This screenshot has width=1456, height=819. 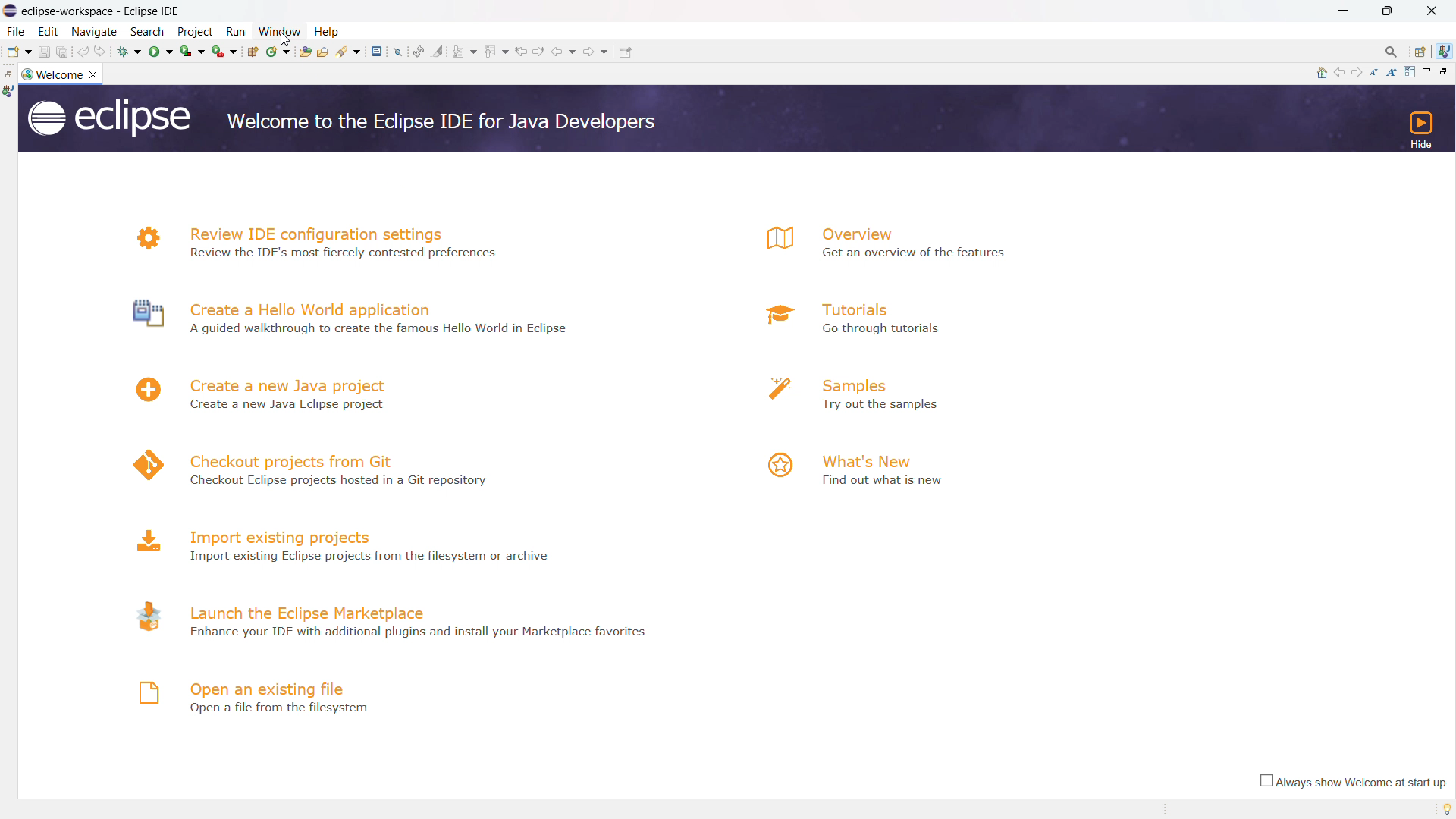 I want to click on open a terminal, so click(x=377, y=52).